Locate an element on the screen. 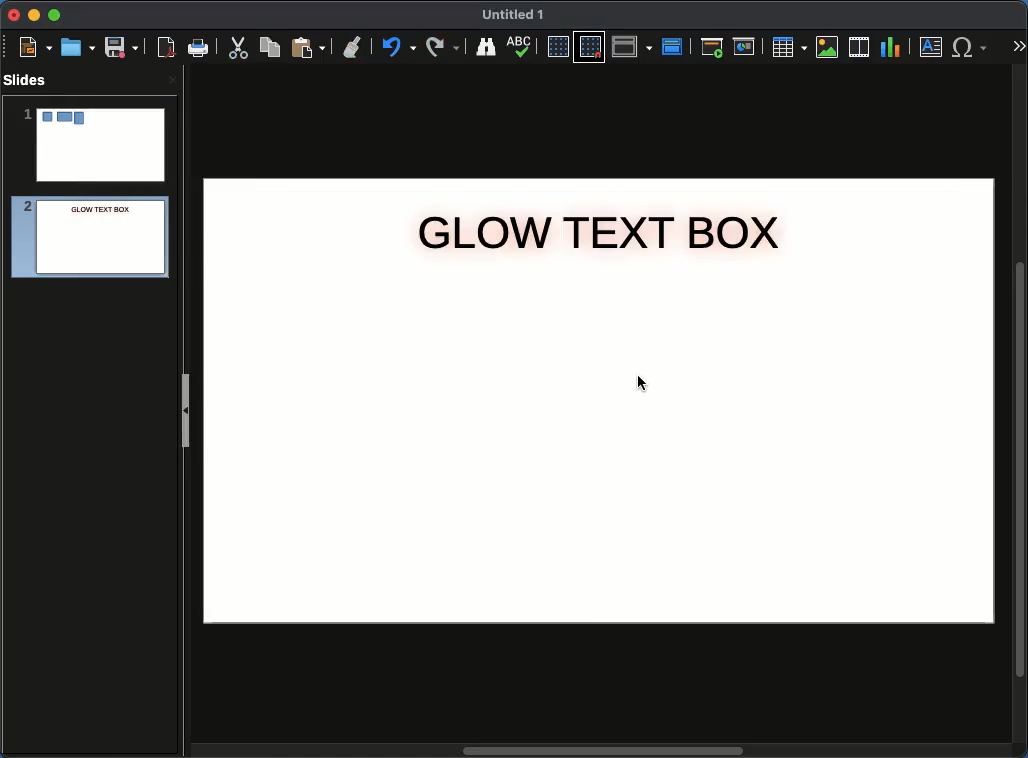 The width and height of the screenshot is (1028, 758). Slide 2 is located at coordinates (84, 240).